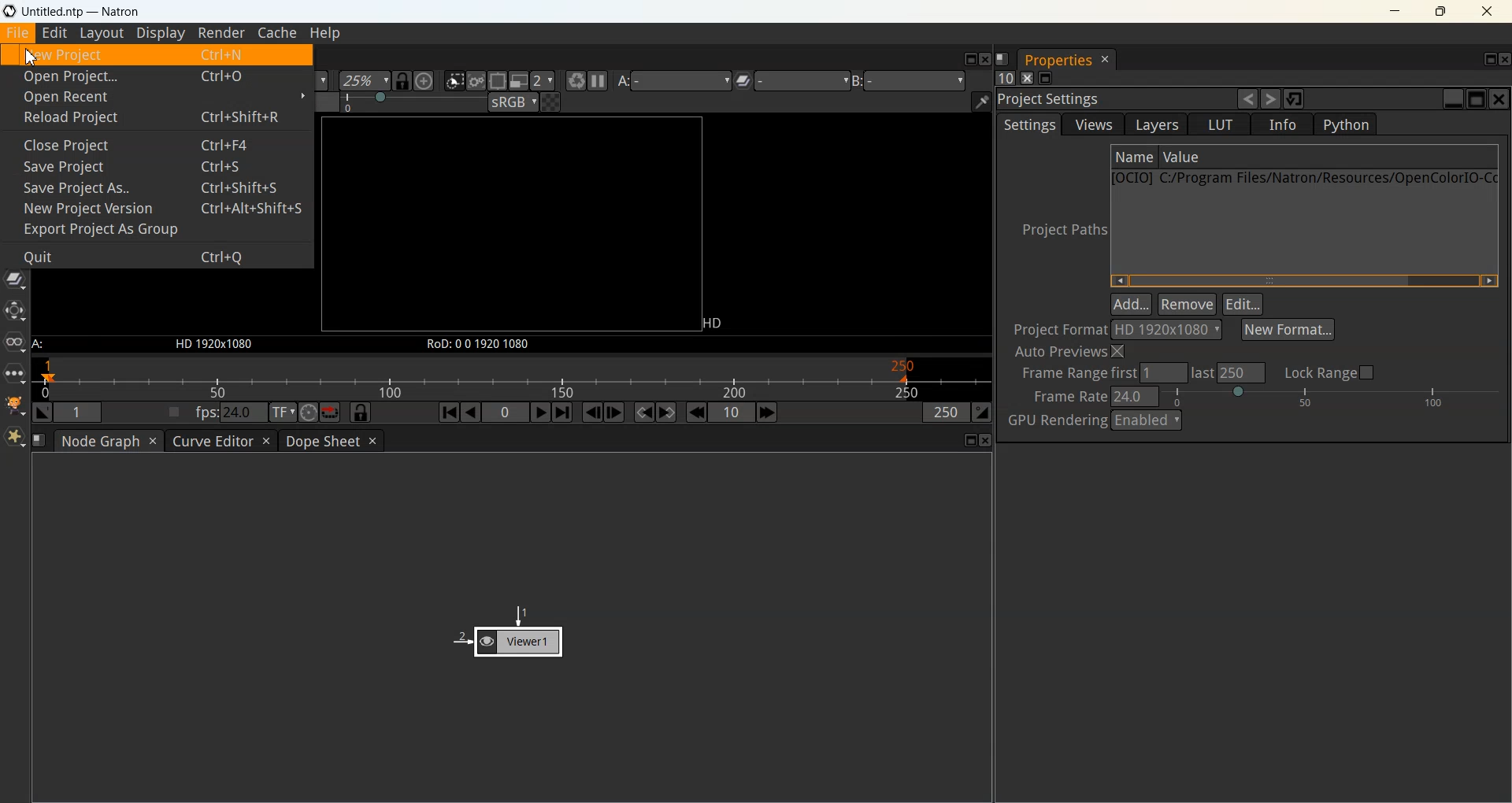 The height and width of the screenshot is (803, 1512). What do you see at coordinates (283, 413) in the screenshot?
I see `TF/TC` at bounding box center [283, 413].